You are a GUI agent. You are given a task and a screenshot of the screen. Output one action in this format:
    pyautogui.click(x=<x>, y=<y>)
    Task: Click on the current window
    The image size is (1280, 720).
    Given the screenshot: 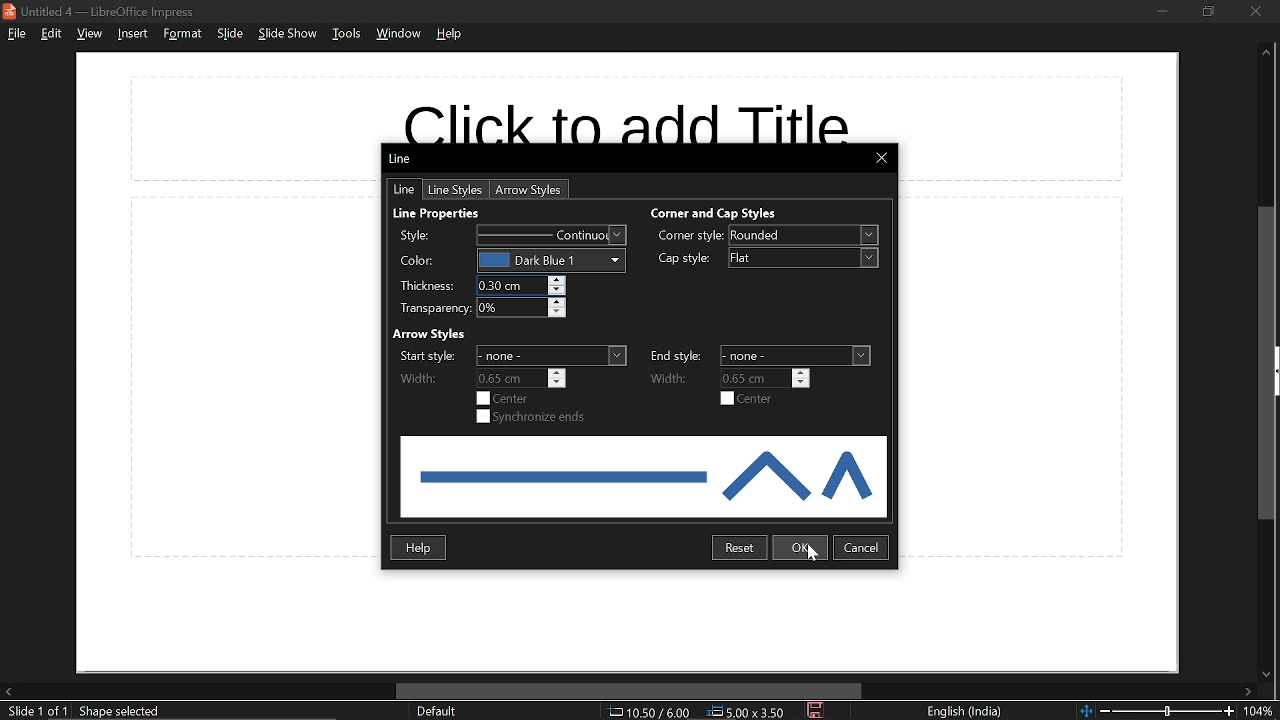 What is the action you would take?
    pyautogui.click(x=100, y=11)
    